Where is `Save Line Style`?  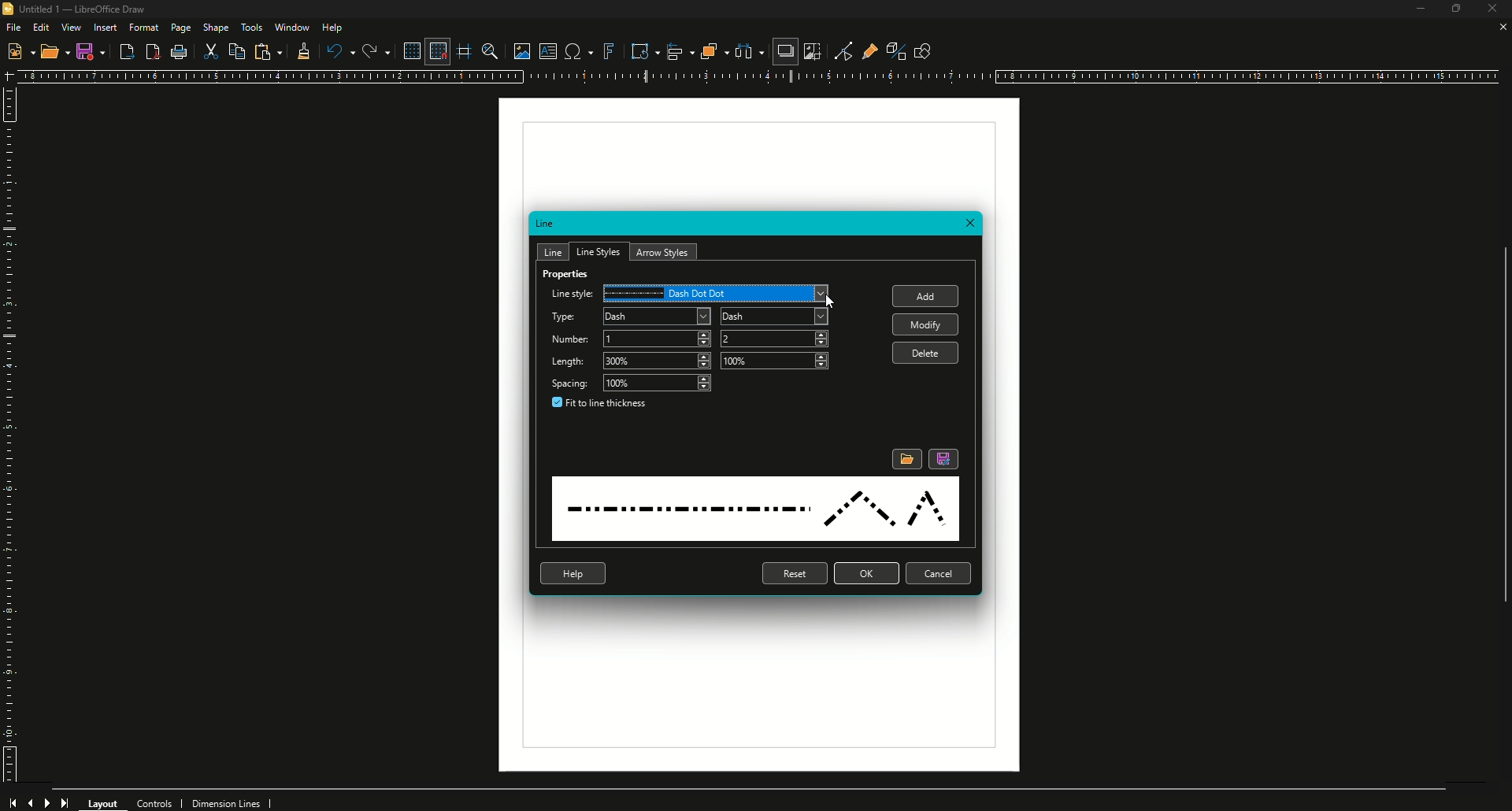
Save Line Style is located at coordinates (944, 459).